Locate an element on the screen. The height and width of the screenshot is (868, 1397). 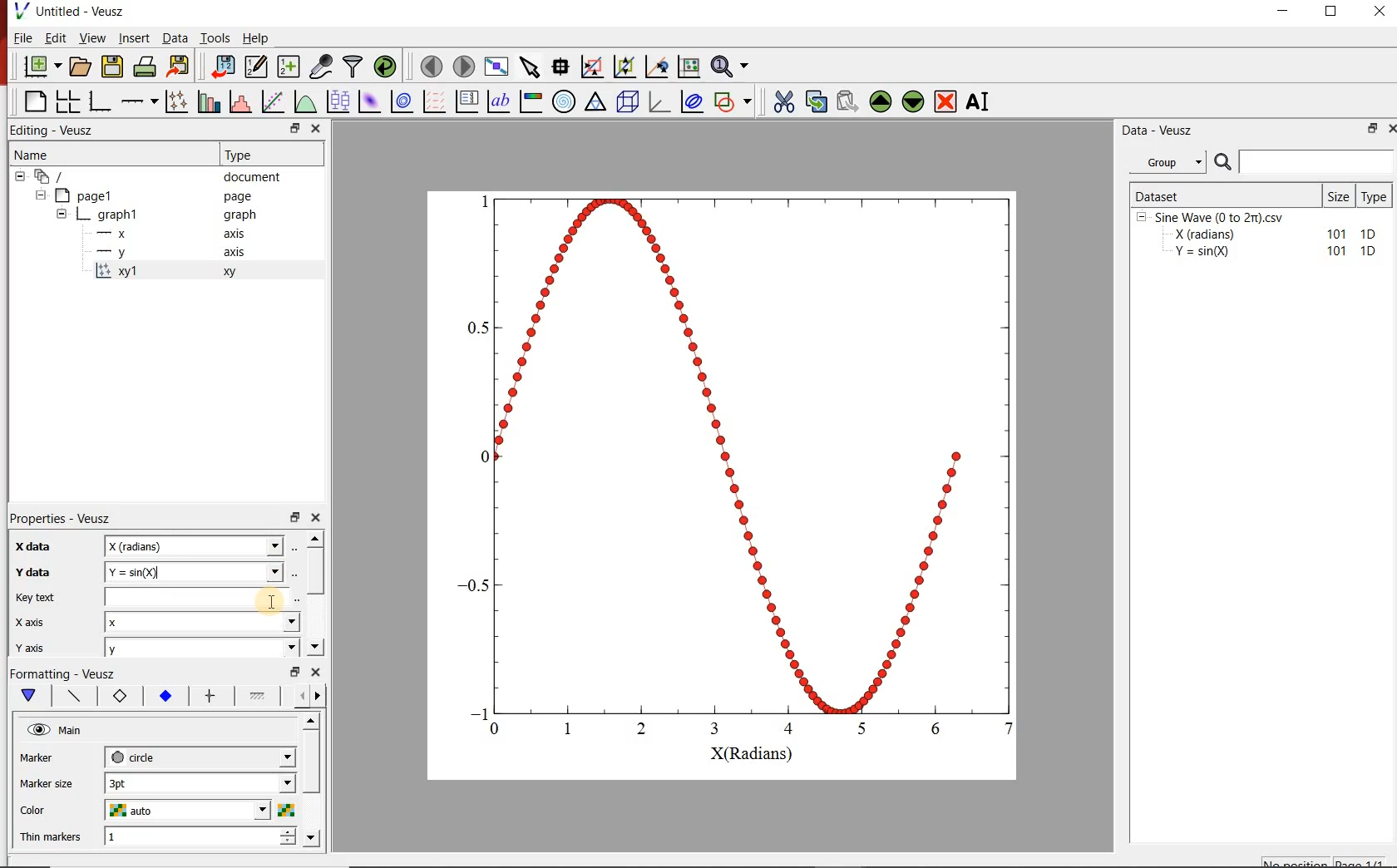
Edit is located at coordinates (56, 38).